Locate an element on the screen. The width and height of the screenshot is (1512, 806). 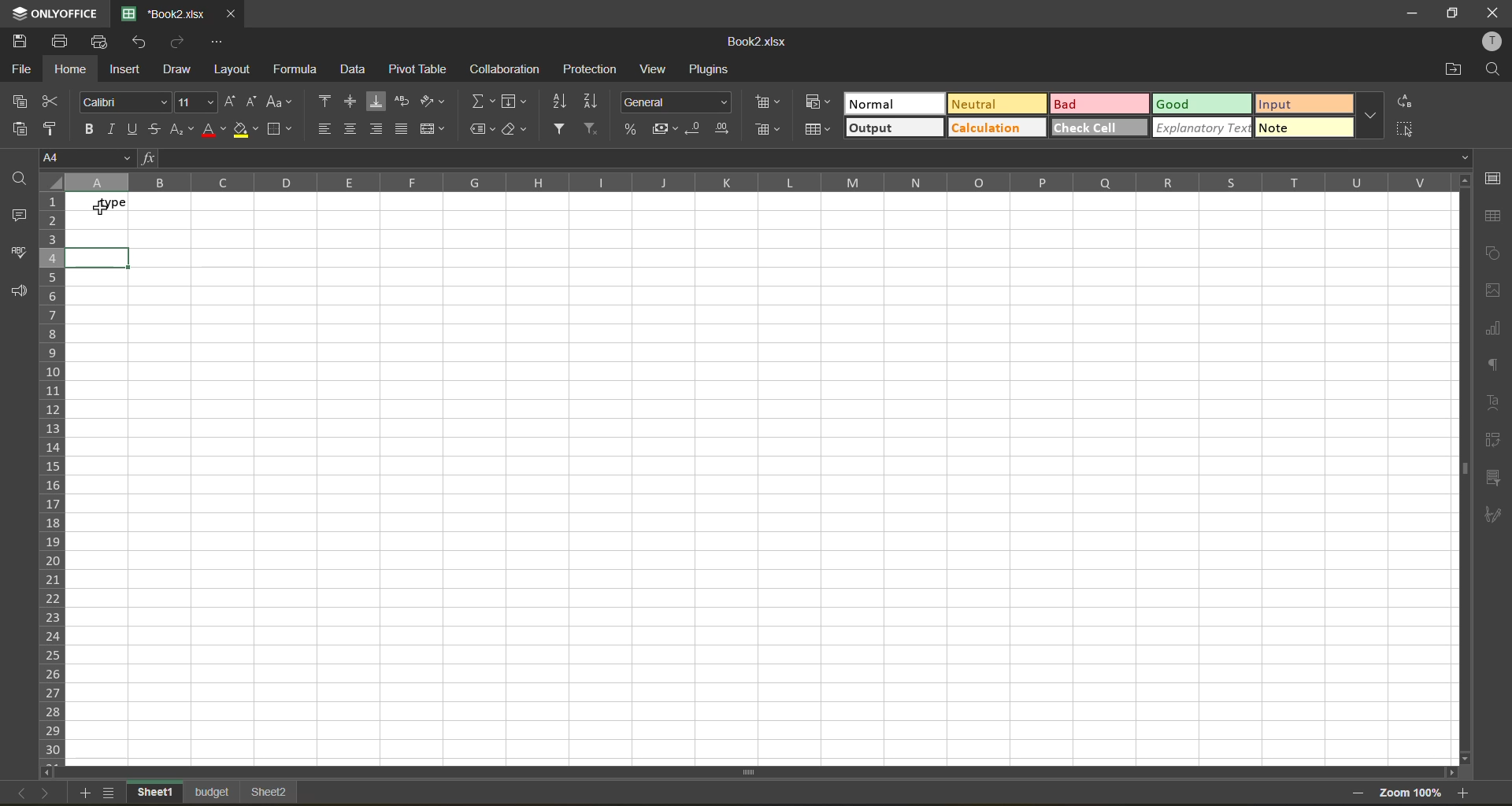
fill color is located at coordinates (246, 129).